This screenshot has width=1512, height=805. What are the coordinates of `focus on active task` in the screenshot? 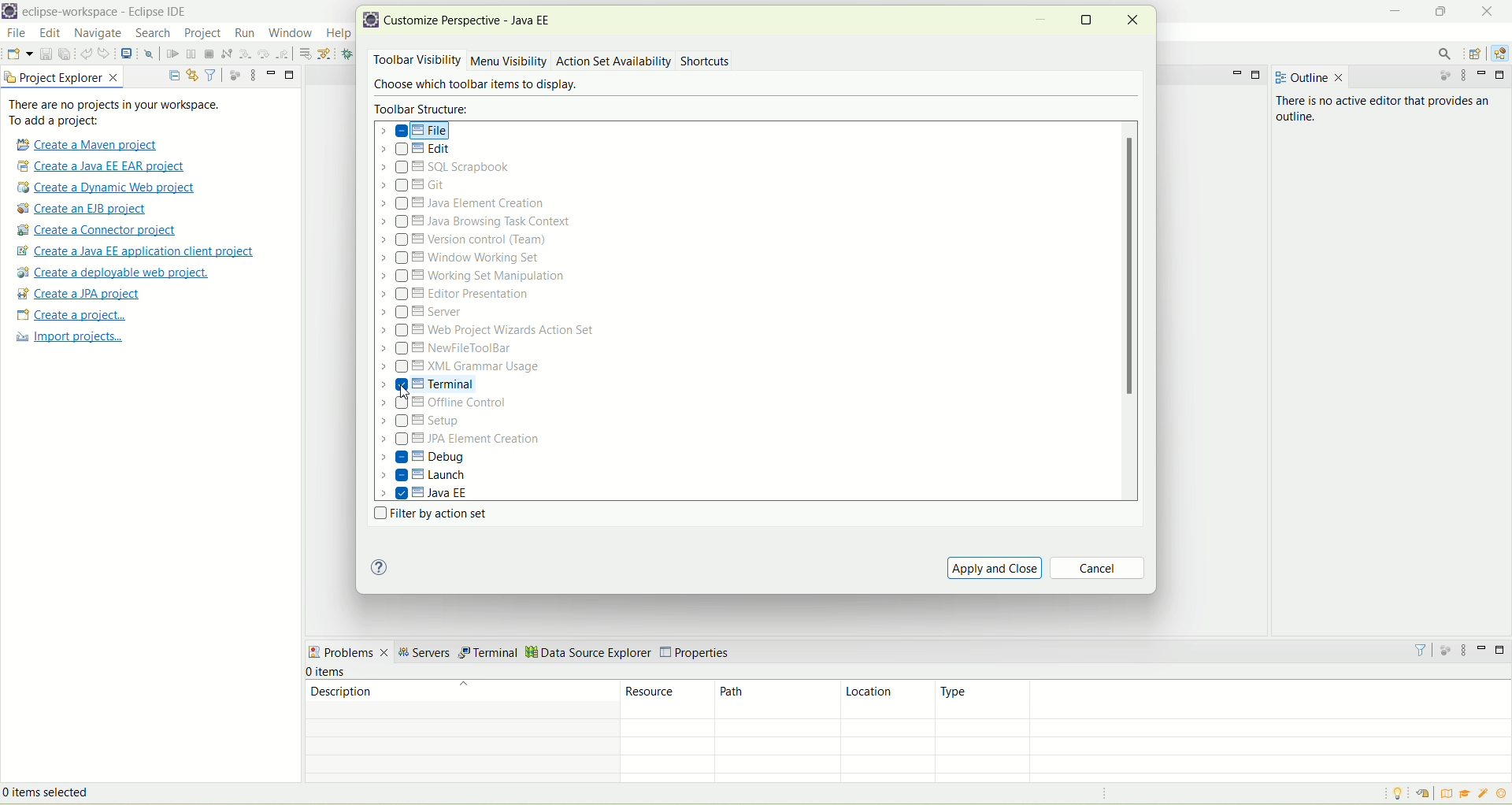 It's located at (1443, 79).